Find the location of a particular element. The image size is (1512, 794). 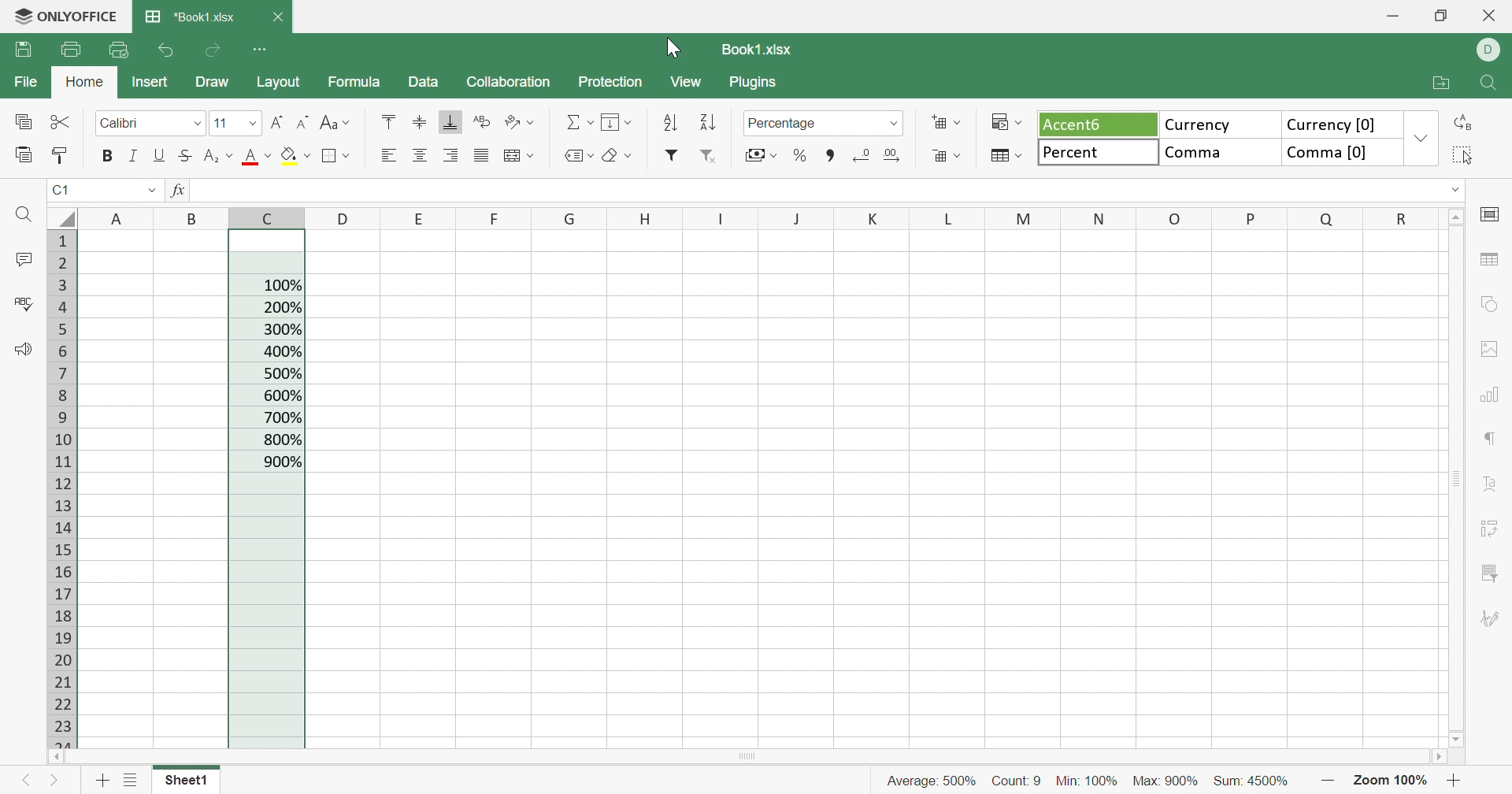

Orientation is located at coordinates (521, 123).